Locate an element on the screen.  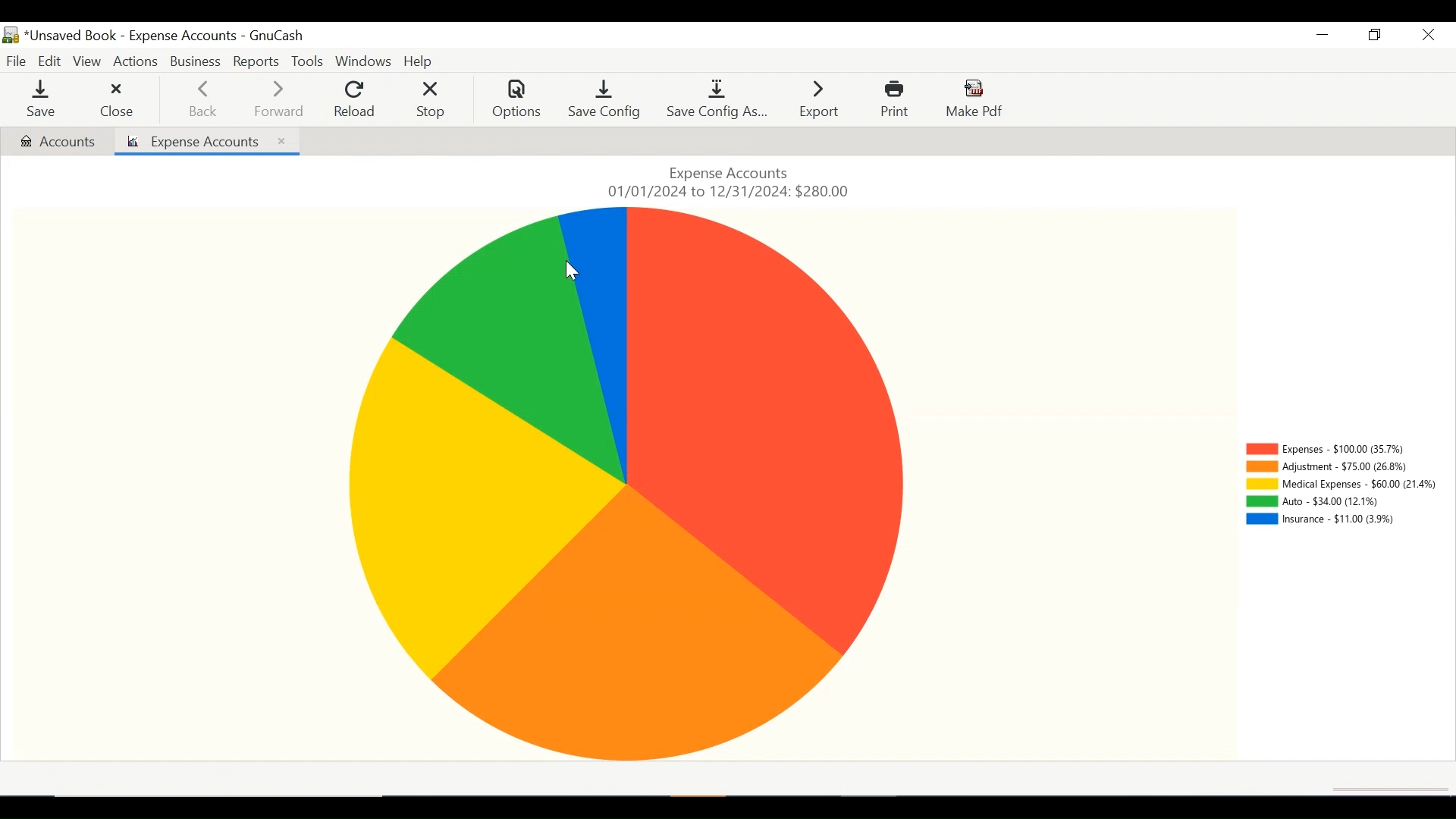
Back is located at coordinates (209, 100).